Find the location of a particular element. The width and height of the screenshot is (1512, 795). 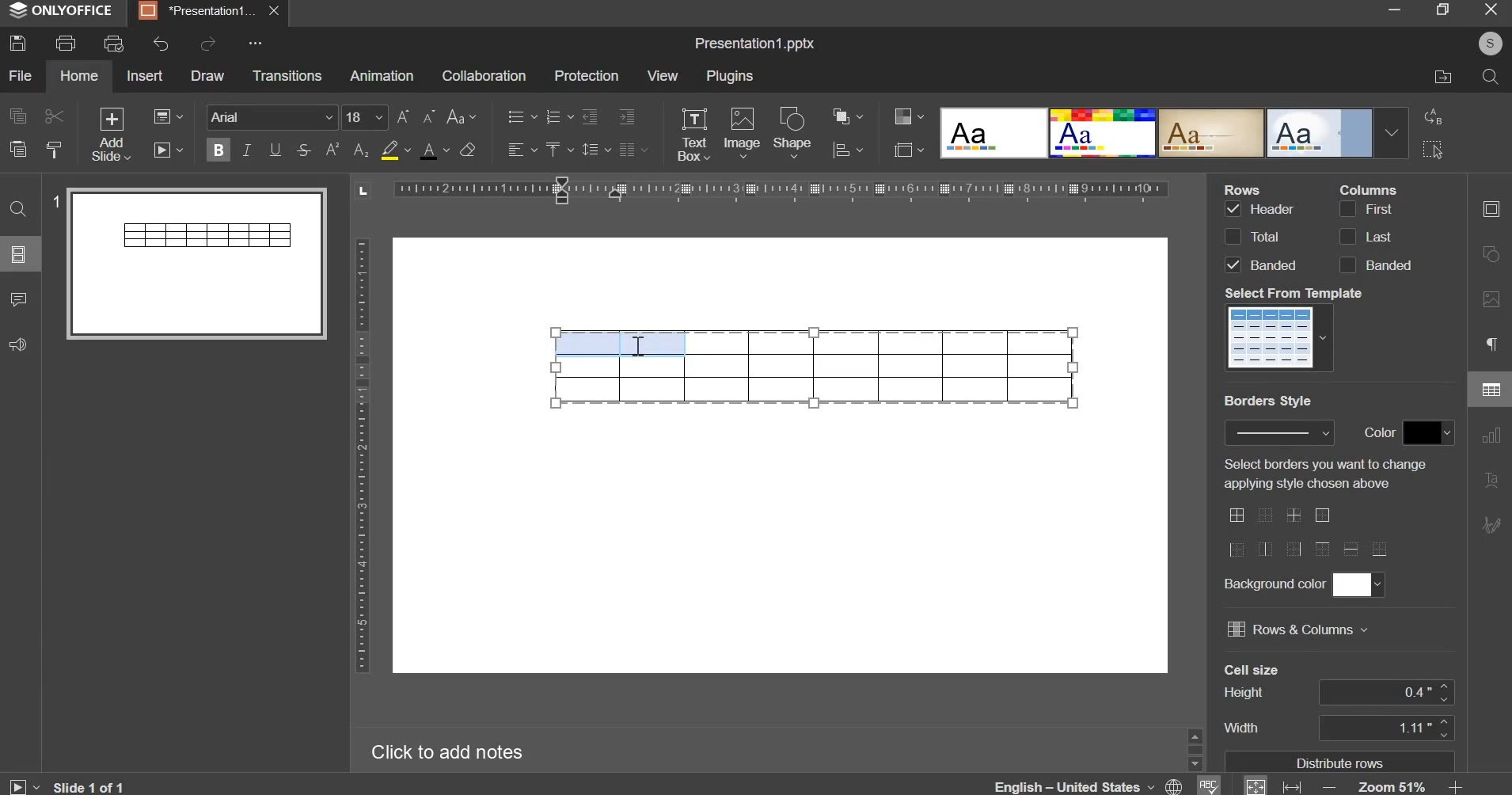

file location is located at coordinates (1443, 75).